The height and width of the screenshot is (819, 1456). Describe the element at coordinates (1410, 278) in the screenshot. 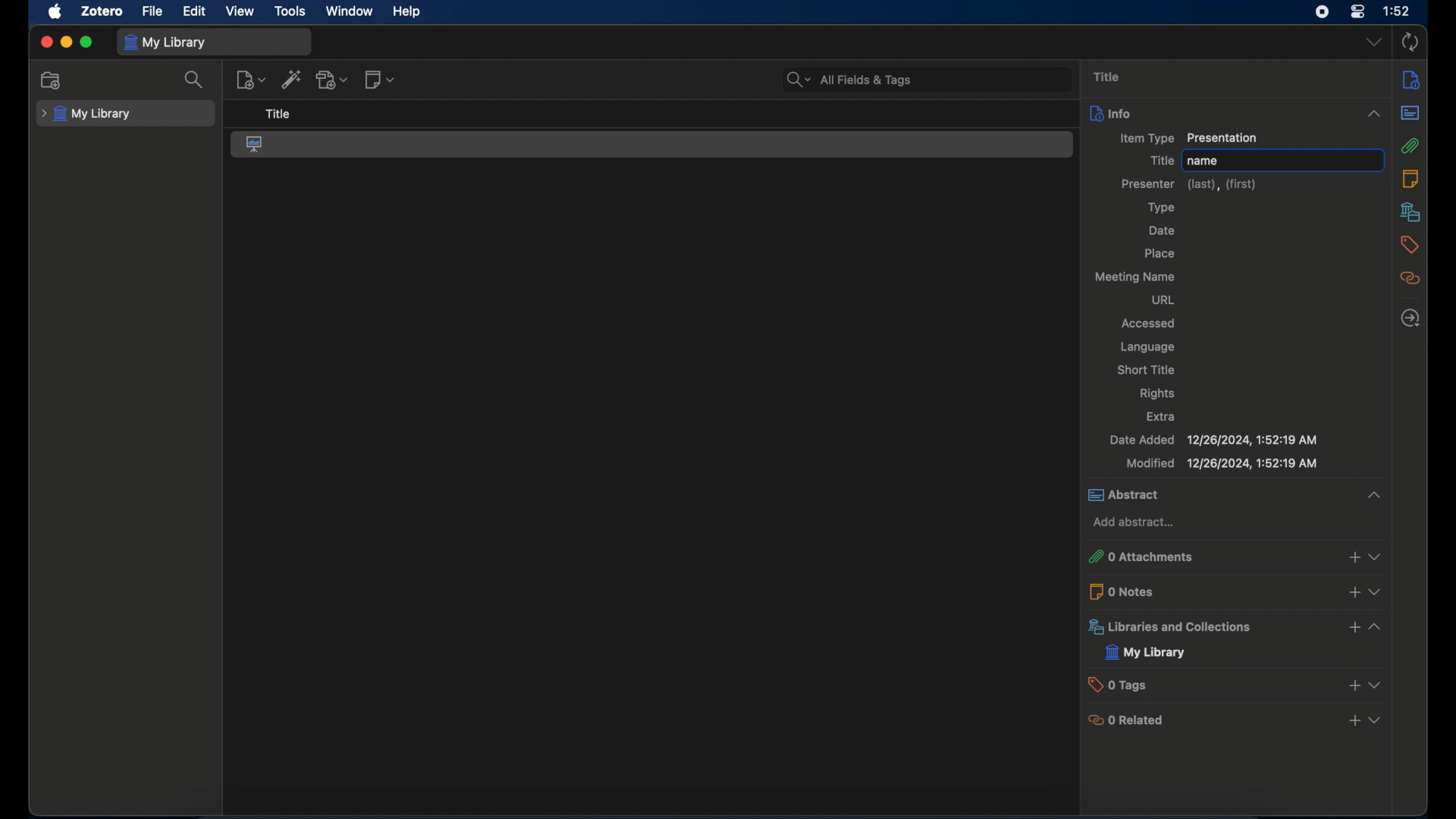

I see `related` at that location.